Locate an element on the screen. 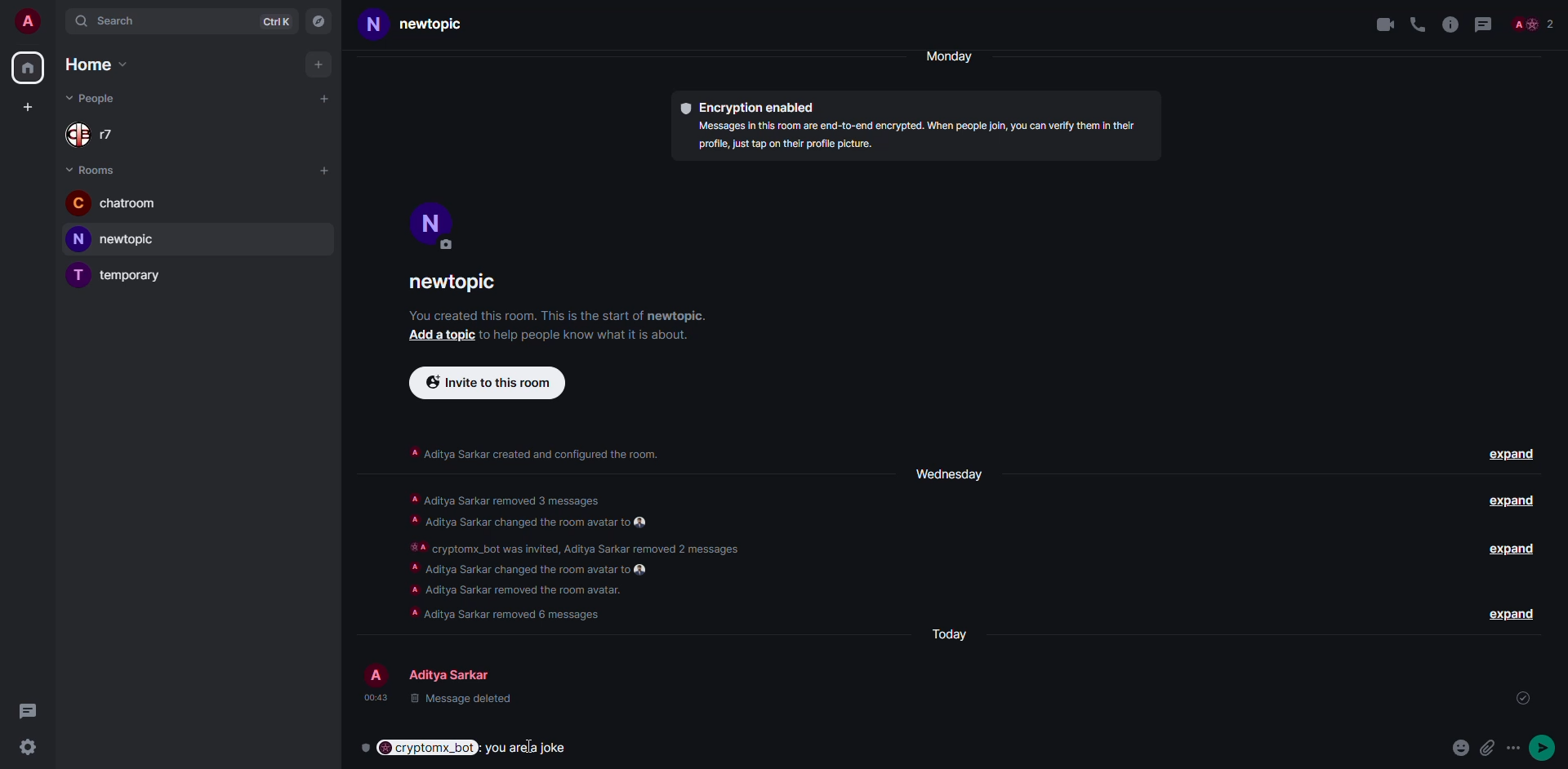 This screenshot has height=769, width=1568. room is located at coordinates (118, 239).